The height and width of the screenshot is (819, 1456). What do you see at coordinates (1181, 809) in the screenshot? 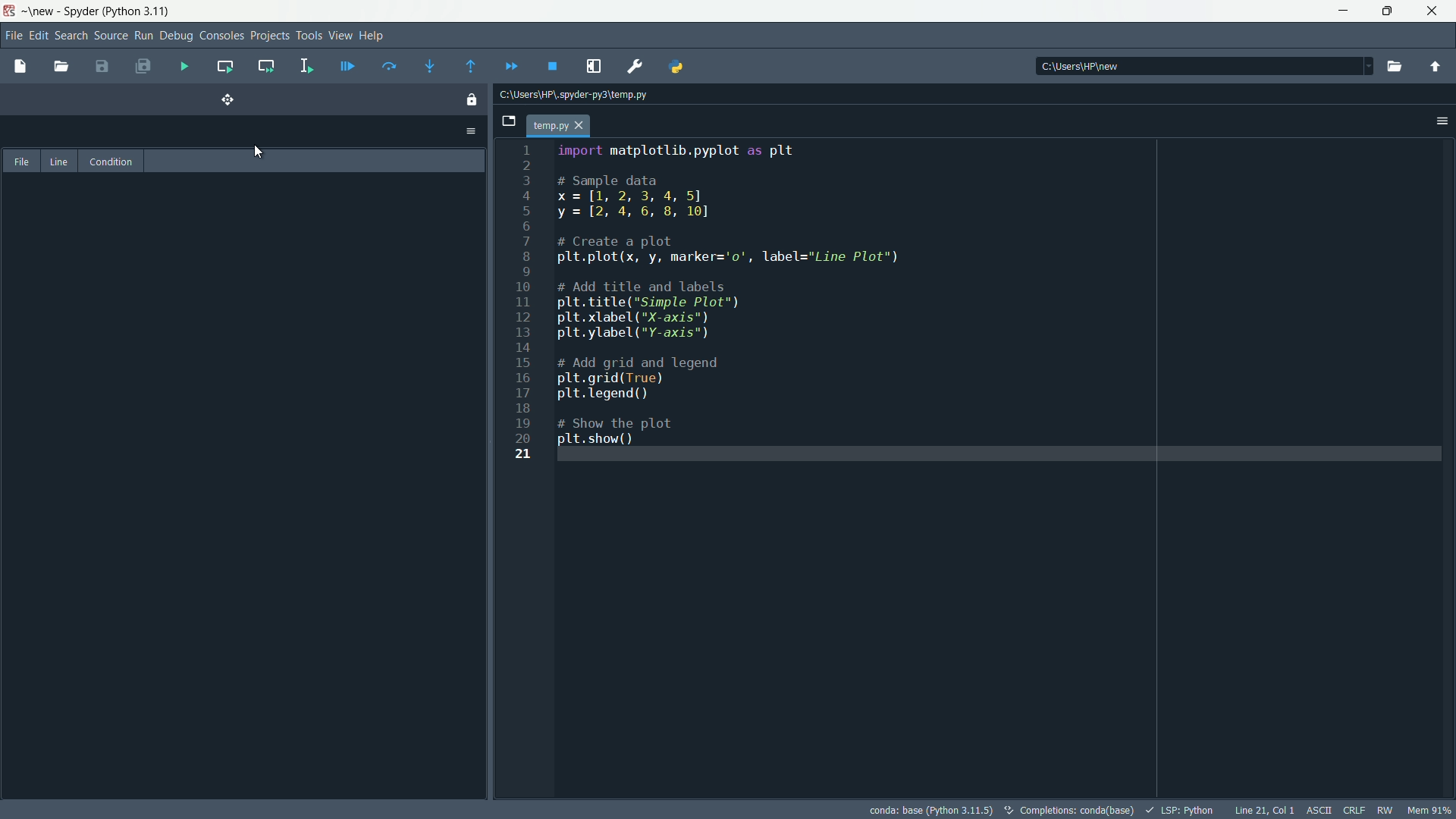
I see `lsp:python` at bounding box center [1181, 809].